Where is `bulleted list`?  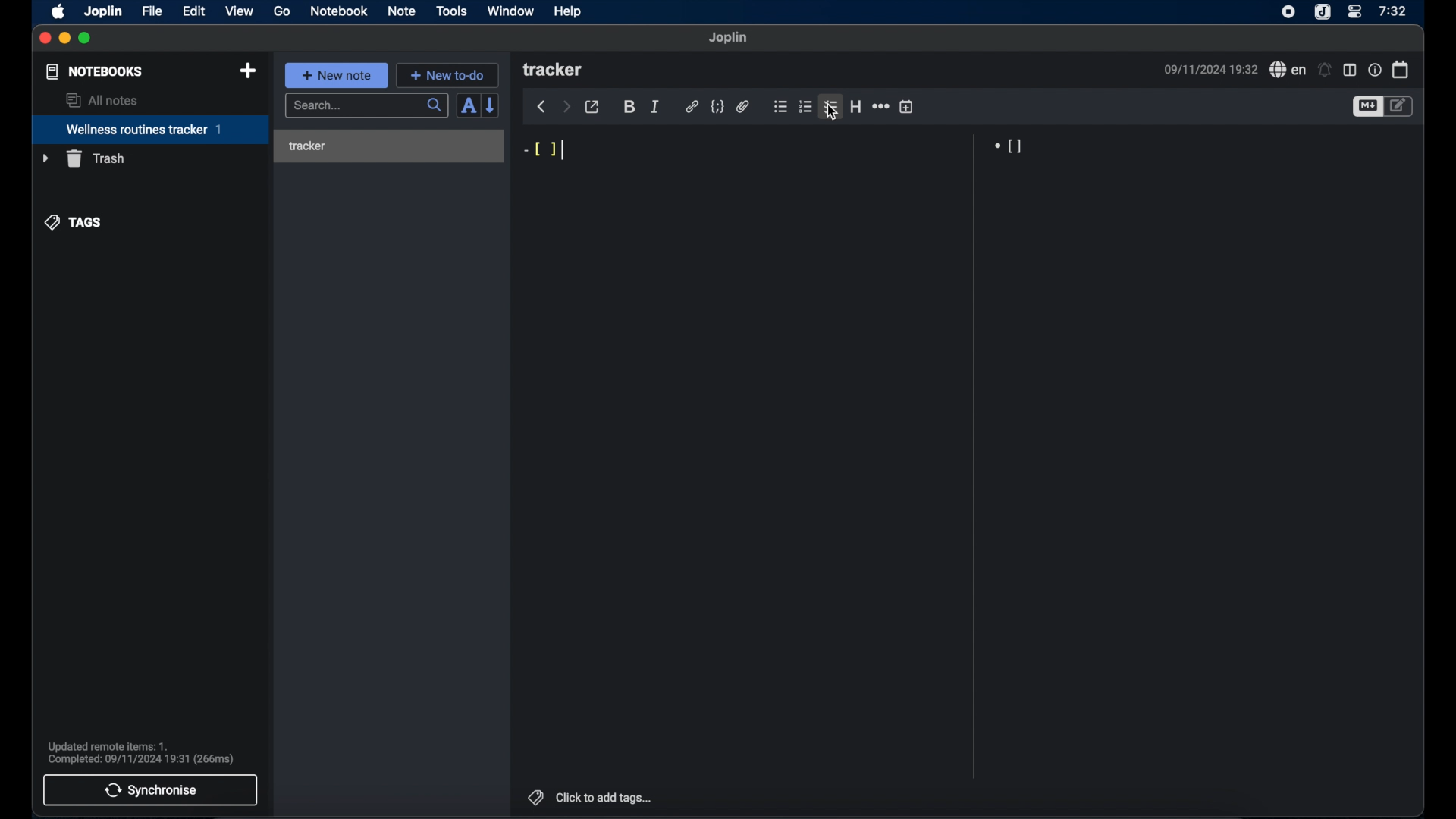
bulleted list is located at coordinates (780, 107).